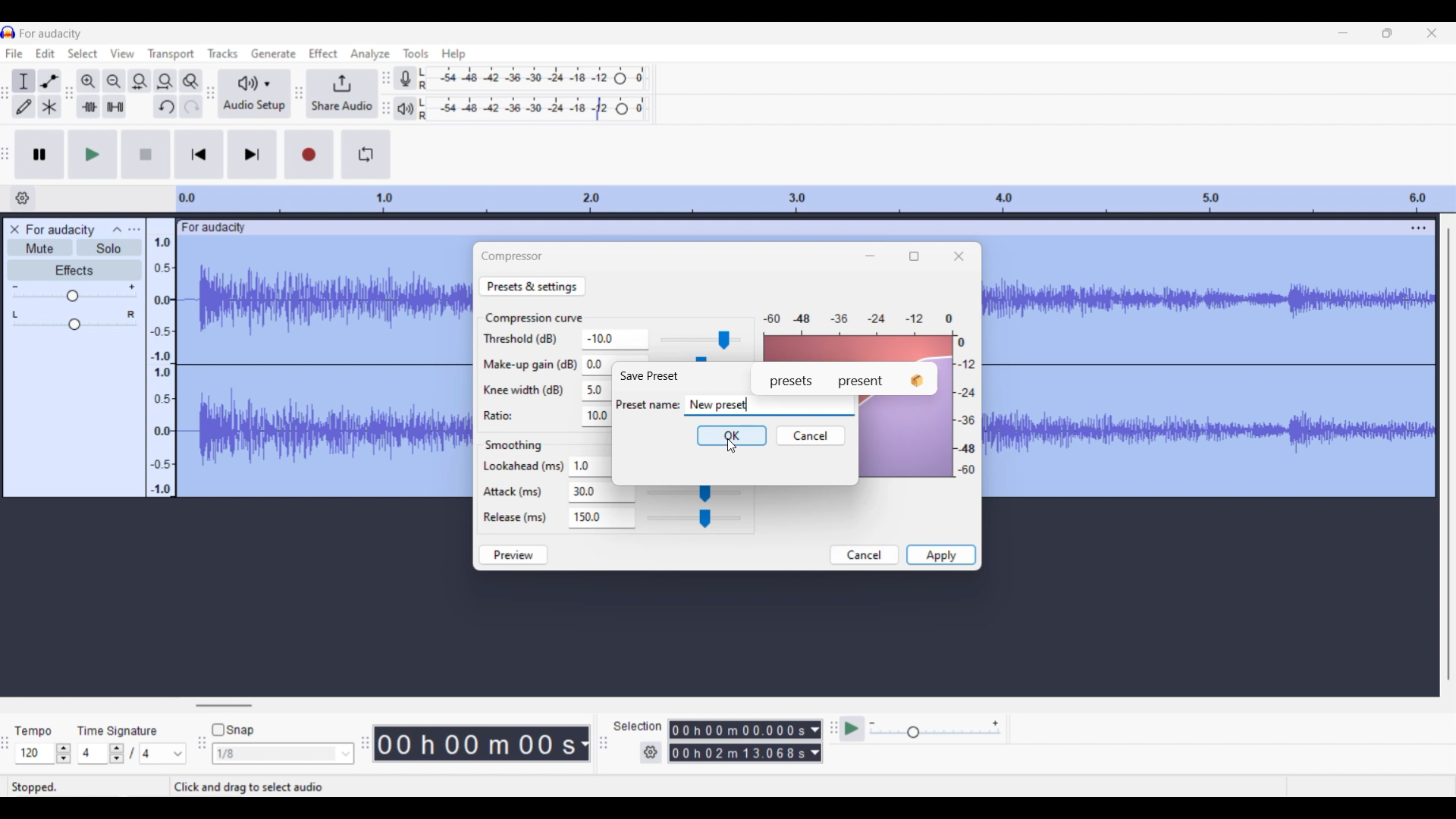  I want to click on Close track, so click(14, 229).